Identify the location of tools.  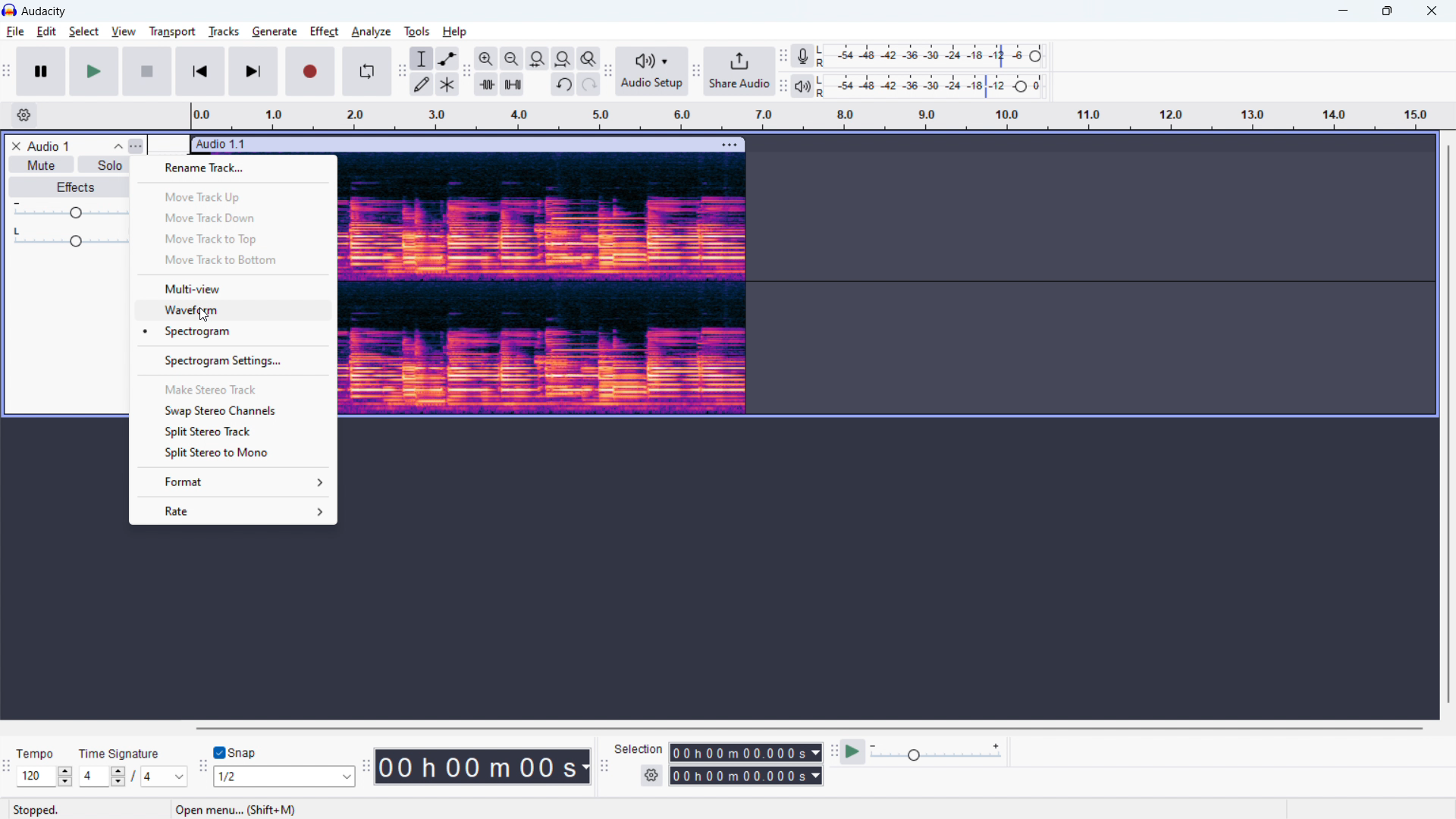
(417, 31).